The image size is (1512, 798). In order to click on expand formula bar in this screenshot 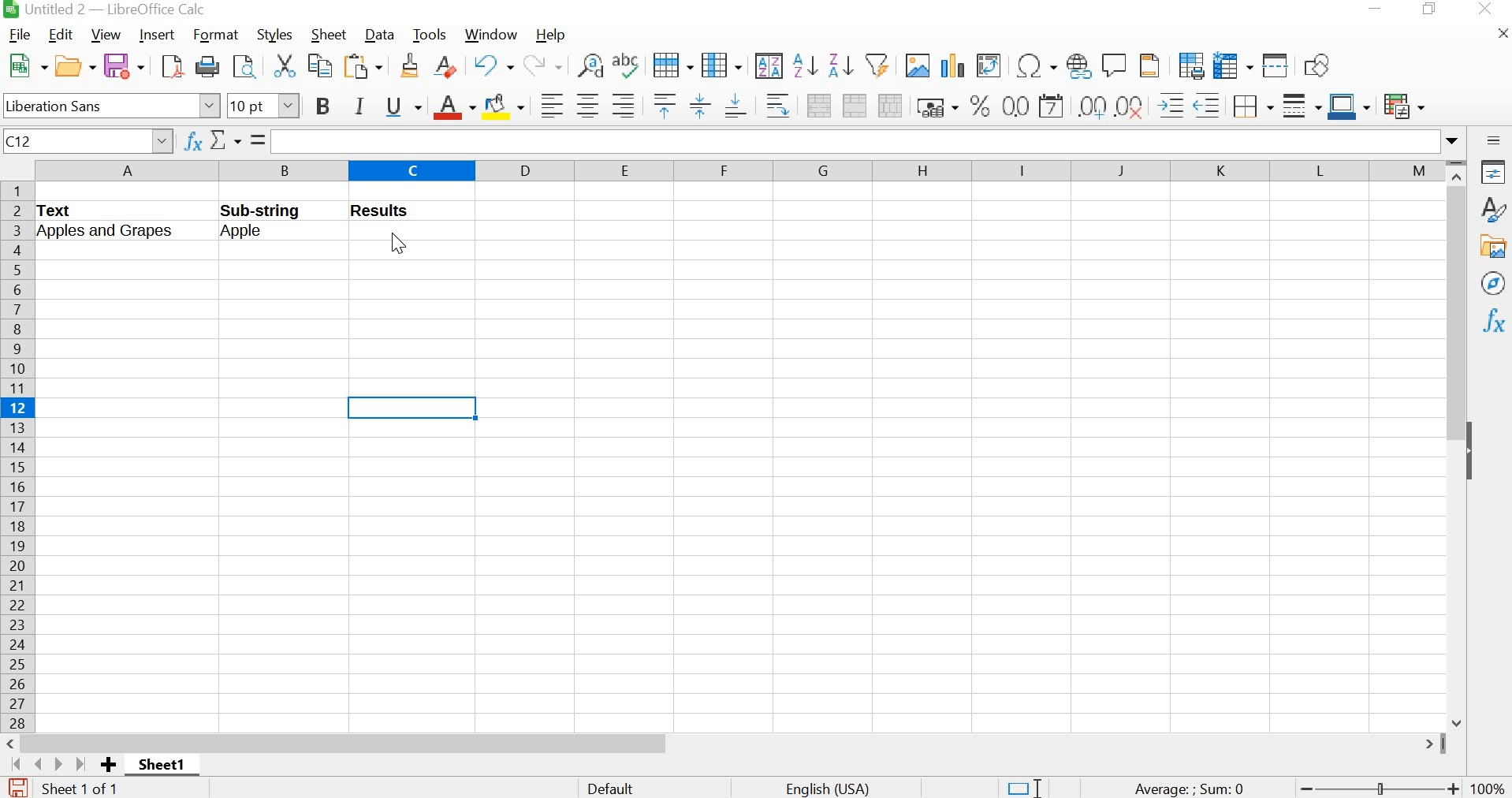, I will do `click(869, 140)`.